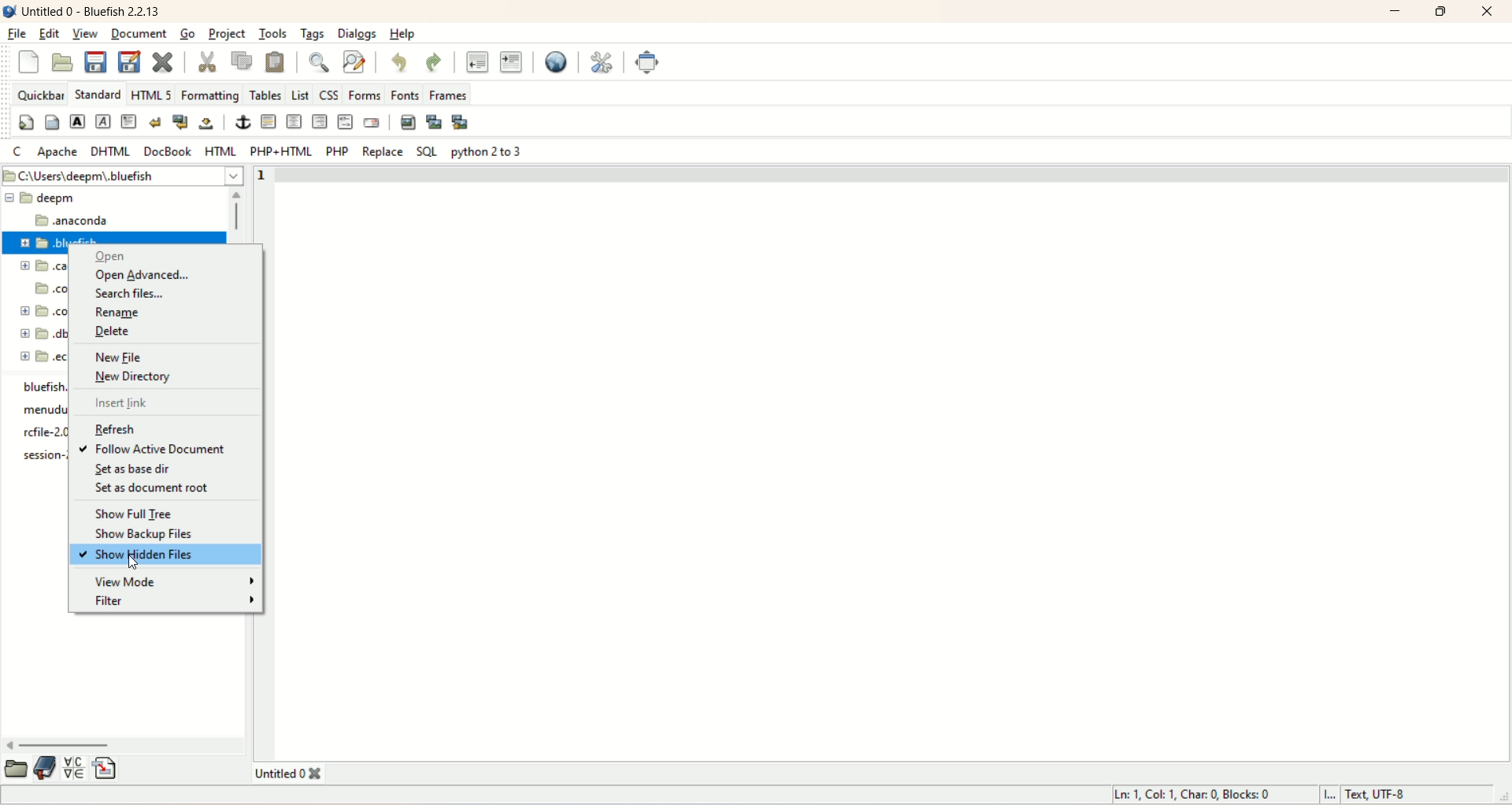 This screenshot has height=805, width=1512. Describe the element at coordinates (229, 35) in the screenshot. I see `project` at that location.